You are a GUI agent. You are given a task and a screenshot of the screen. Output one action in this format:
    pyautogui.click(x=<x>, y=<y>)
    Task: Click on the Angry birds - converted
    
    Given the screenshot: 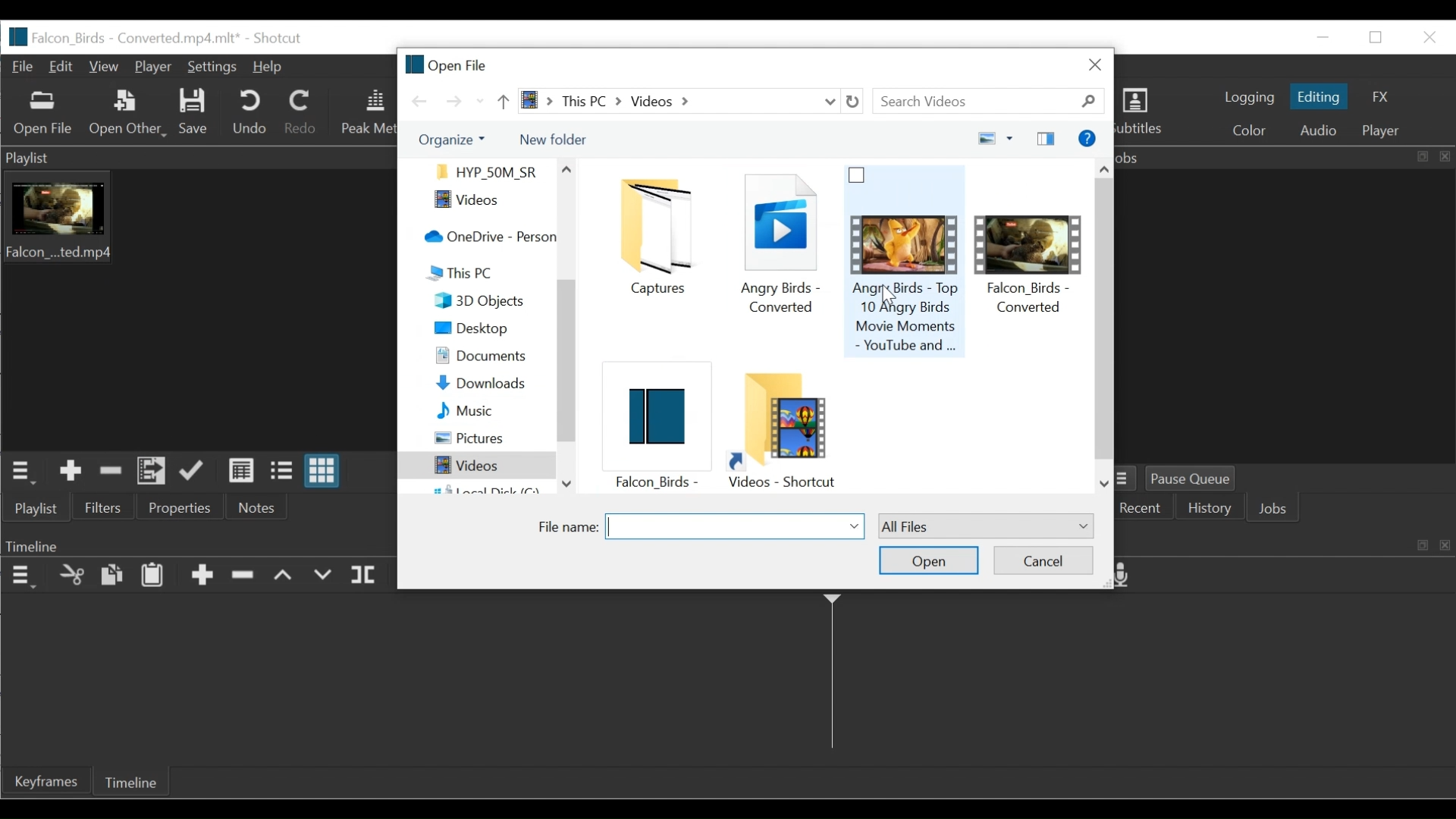 What is the action you would take?
    pyautogui.click(x=778, y=249)
    